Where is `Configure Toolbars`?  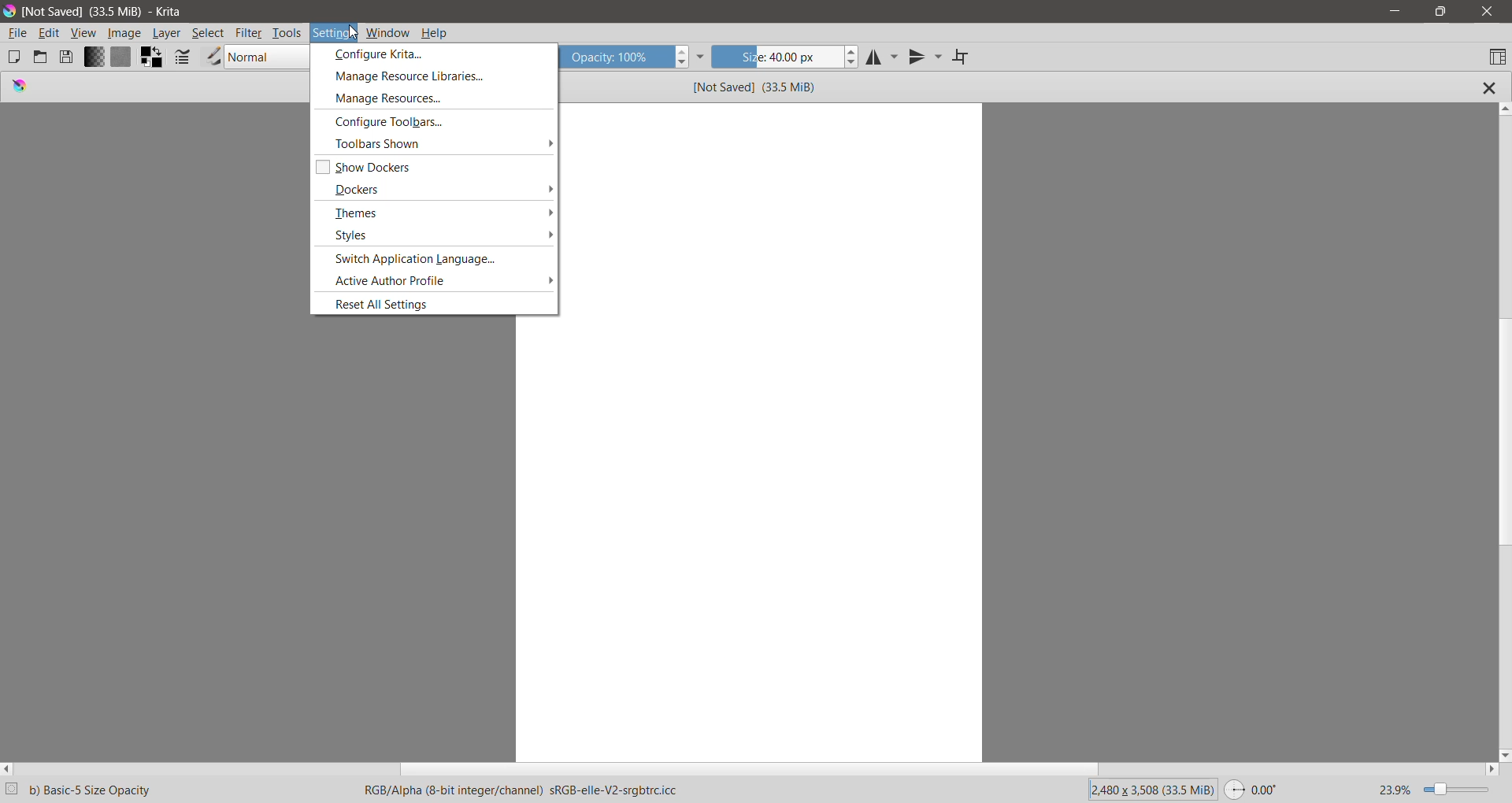
Configure Toolbars is located at coordinates (395, 120).